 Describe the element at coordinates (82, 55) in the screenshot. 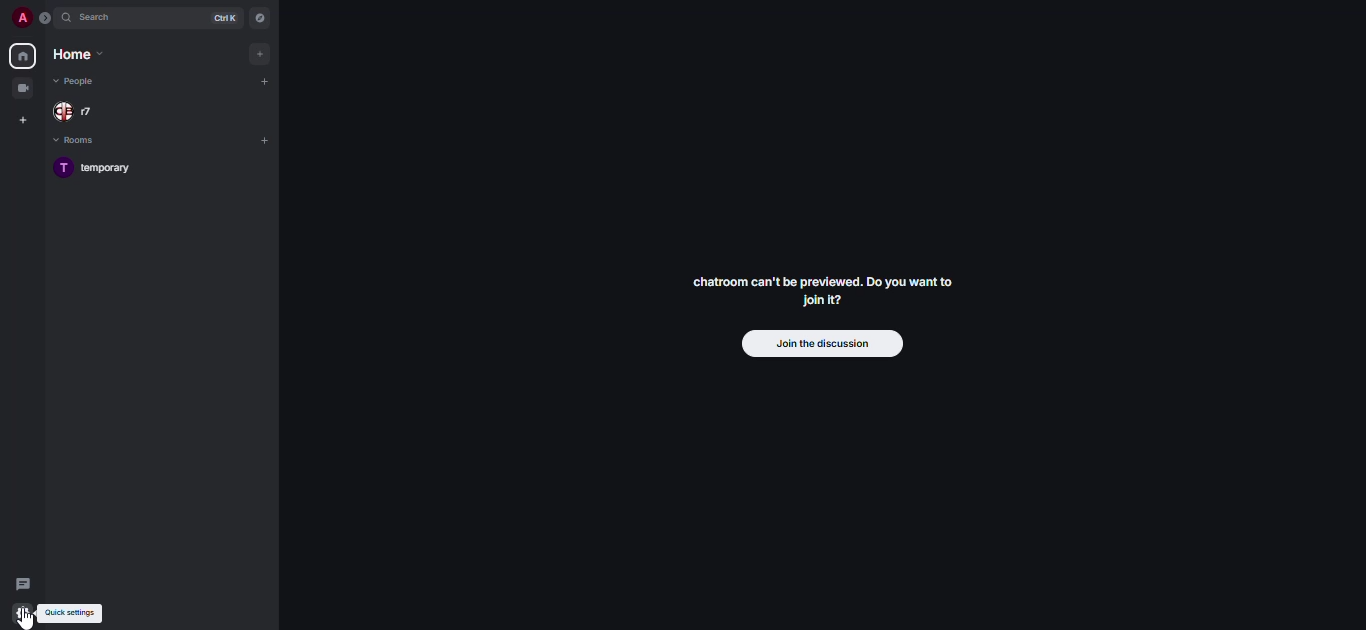

I see `home` at that location.